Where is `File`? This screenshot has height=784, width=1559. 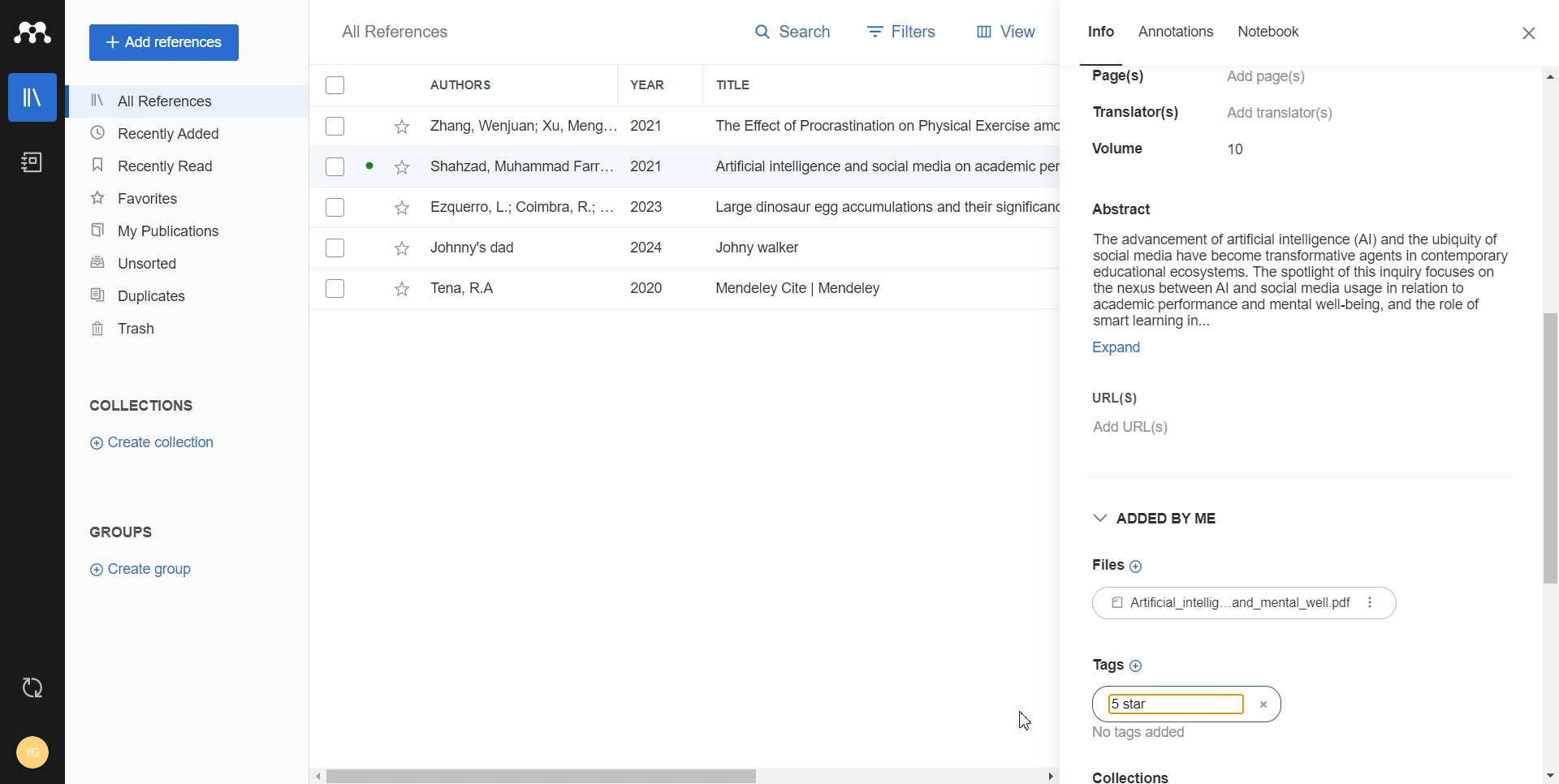
File is located at coordinates (687, 167).